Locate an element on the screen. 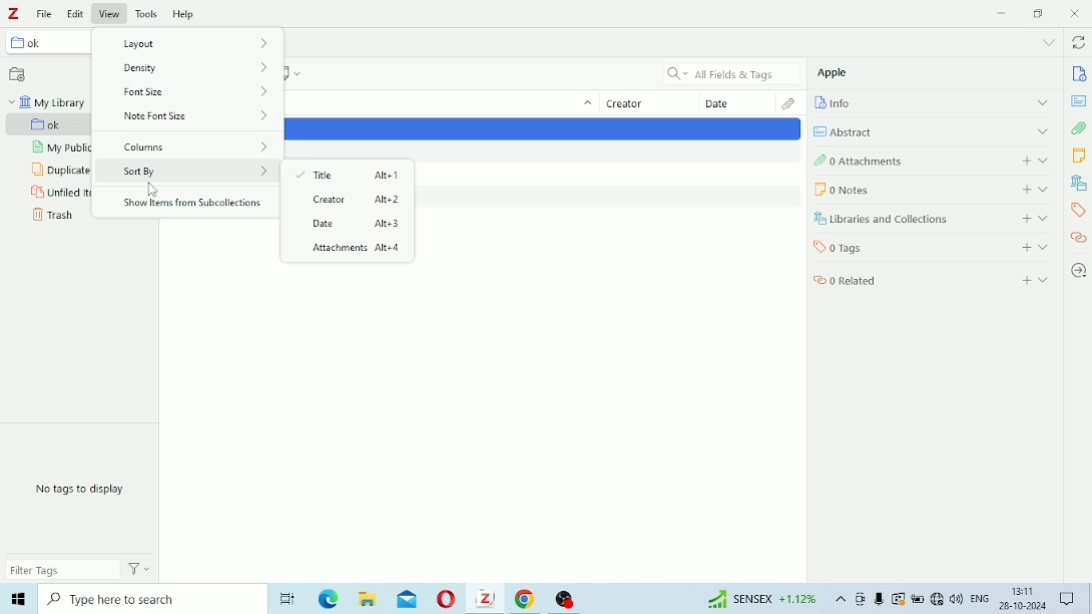  No tags to display is located at coordinates (87, 490).